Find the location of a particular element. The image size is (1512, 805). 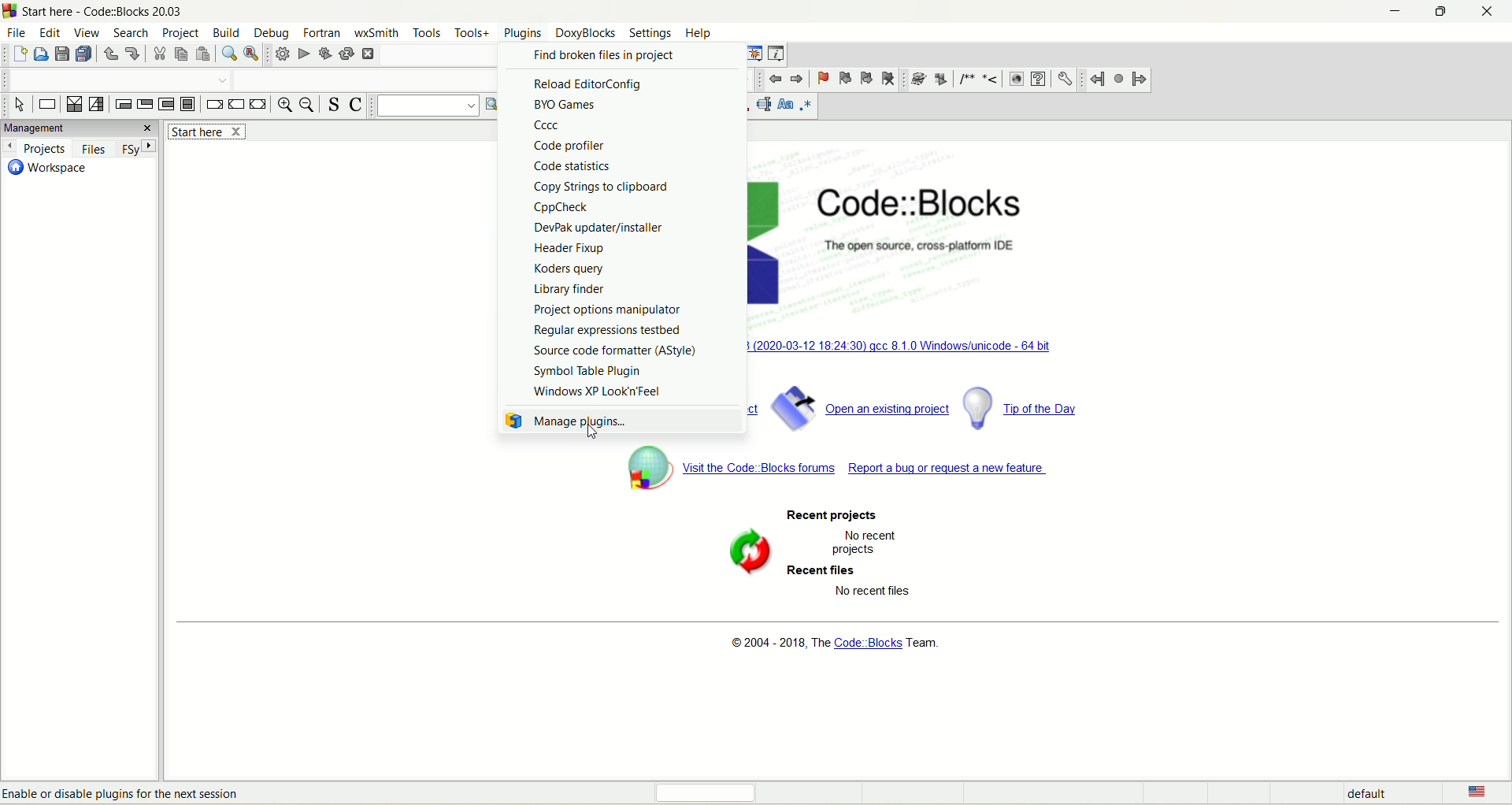

devpak updater is located at coordinates (597, 228).